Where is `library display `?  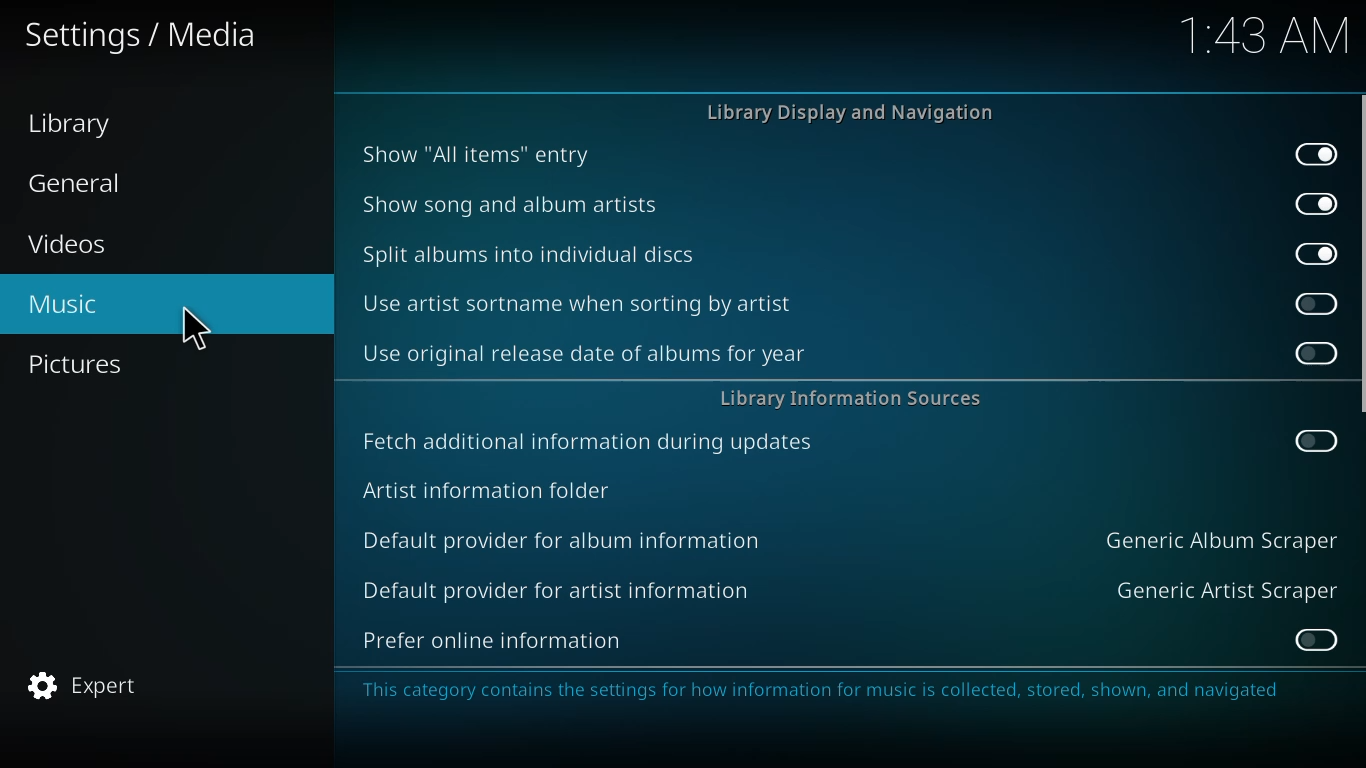 library display  is located at coordinates (857, 113).